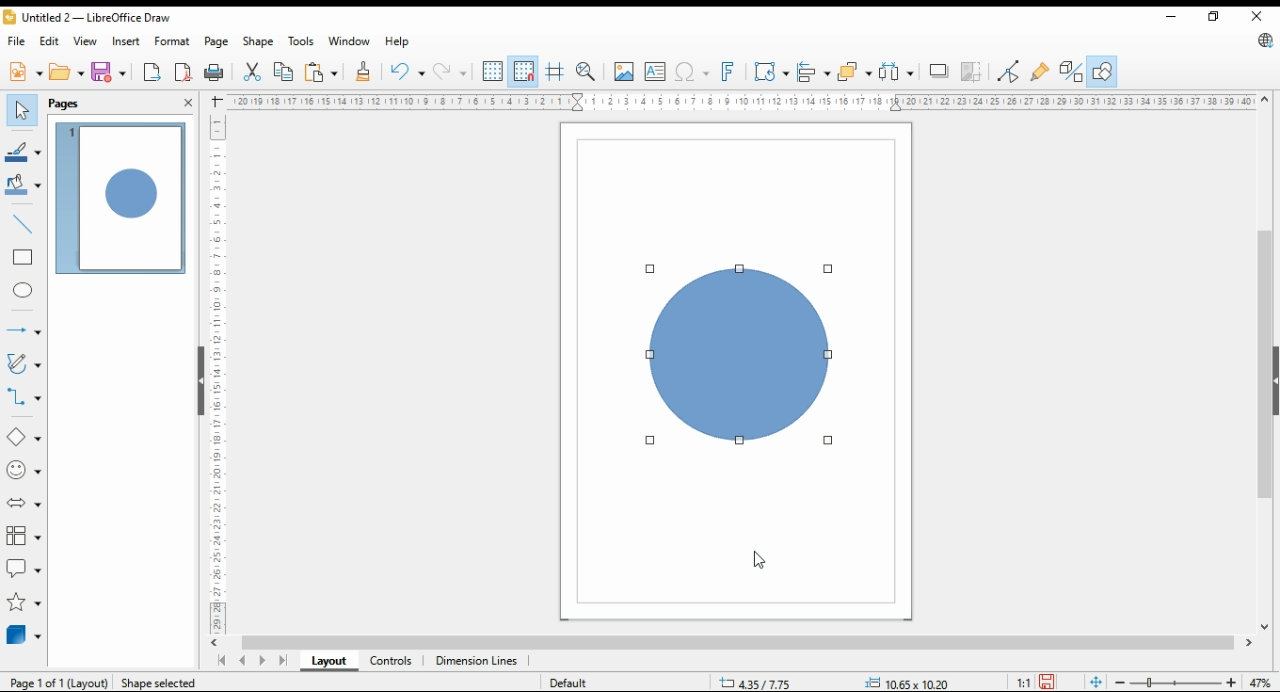 This screenshot has height=692, width=1280. I want to click on insert special characters, so click(694, 72).